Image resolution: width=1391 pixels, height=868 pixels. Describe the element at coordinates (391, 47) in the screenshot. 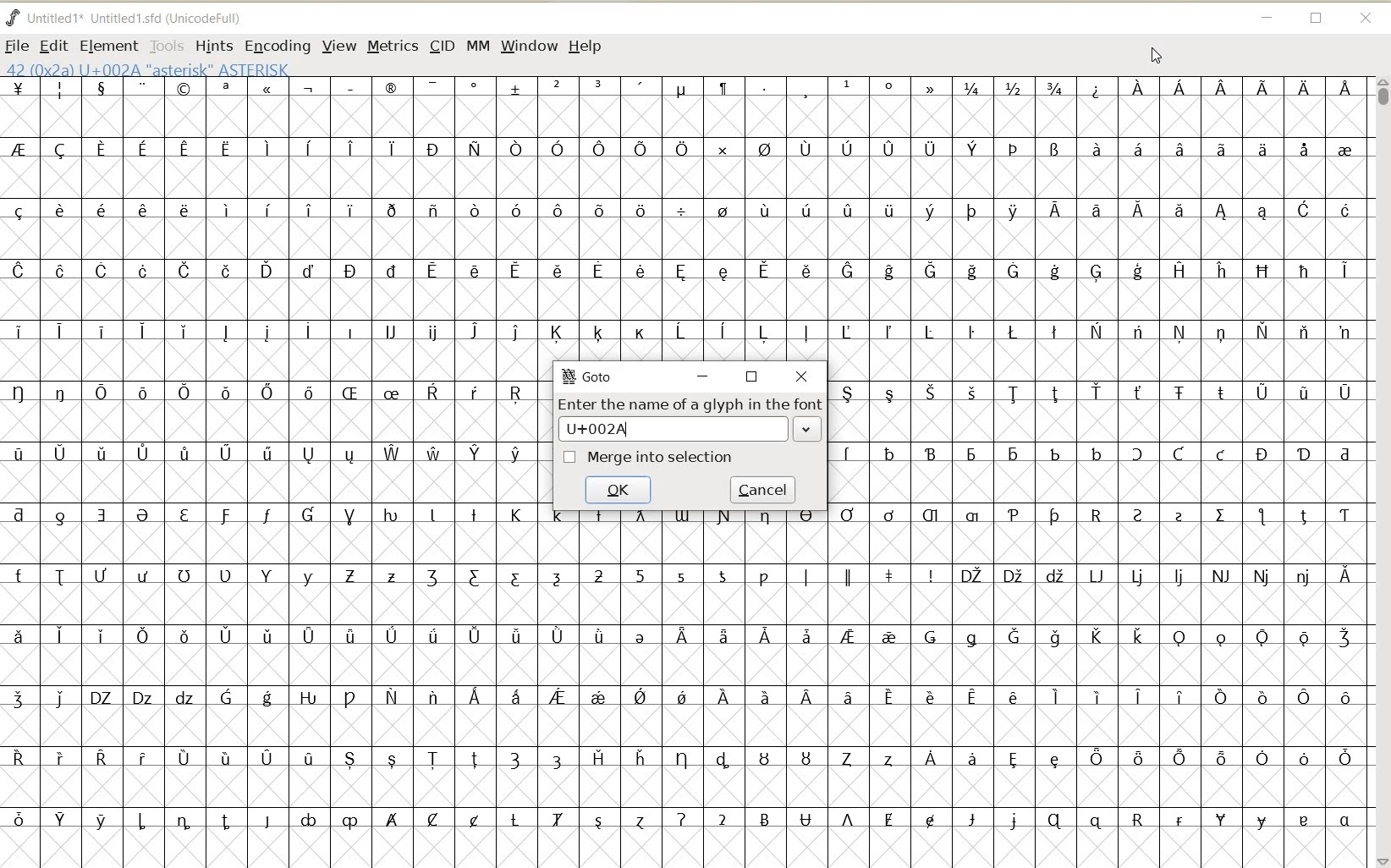

I see `METRICS` at that location.